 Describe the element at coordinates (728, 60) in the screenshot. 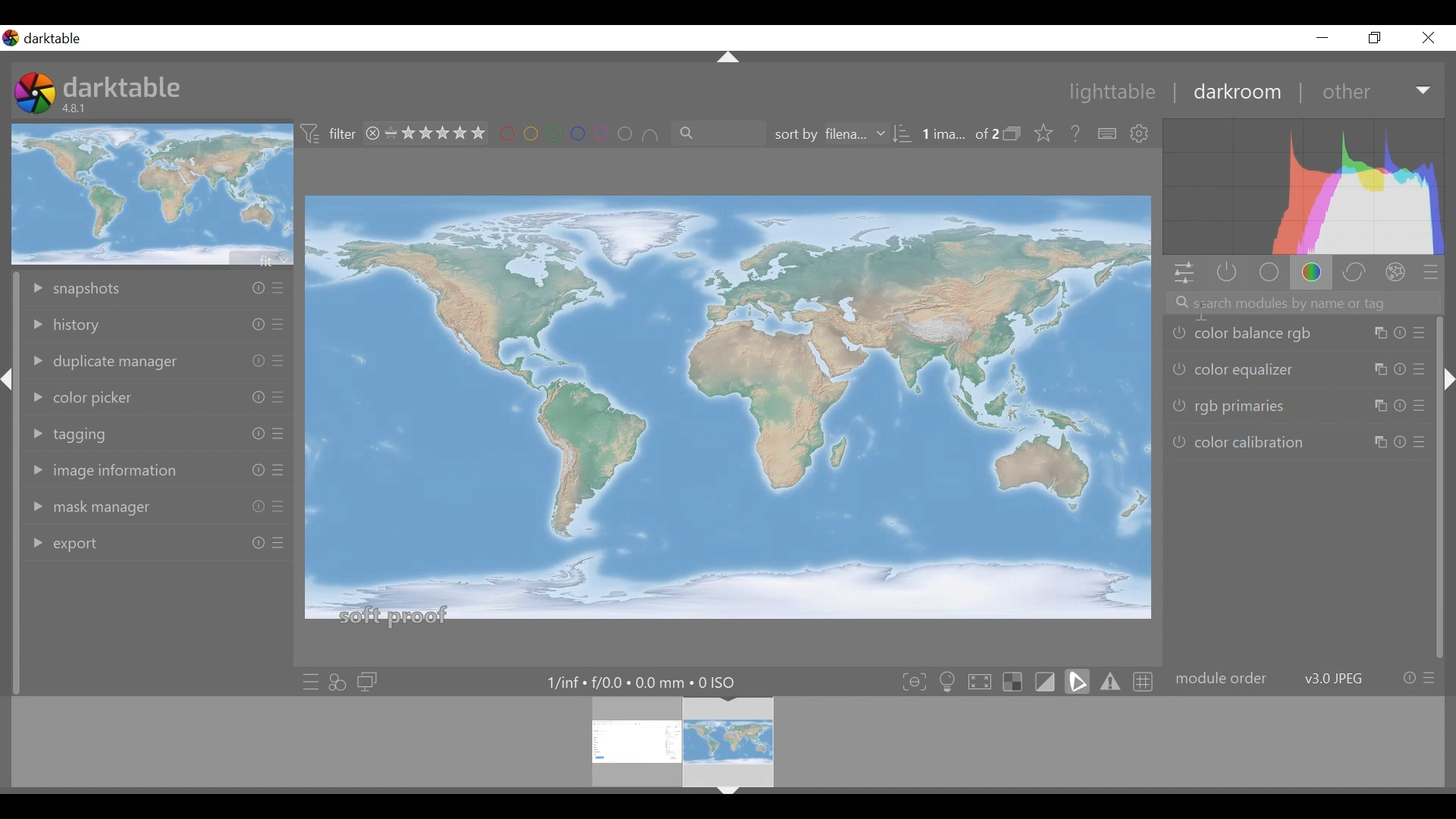

I see `` at that location.